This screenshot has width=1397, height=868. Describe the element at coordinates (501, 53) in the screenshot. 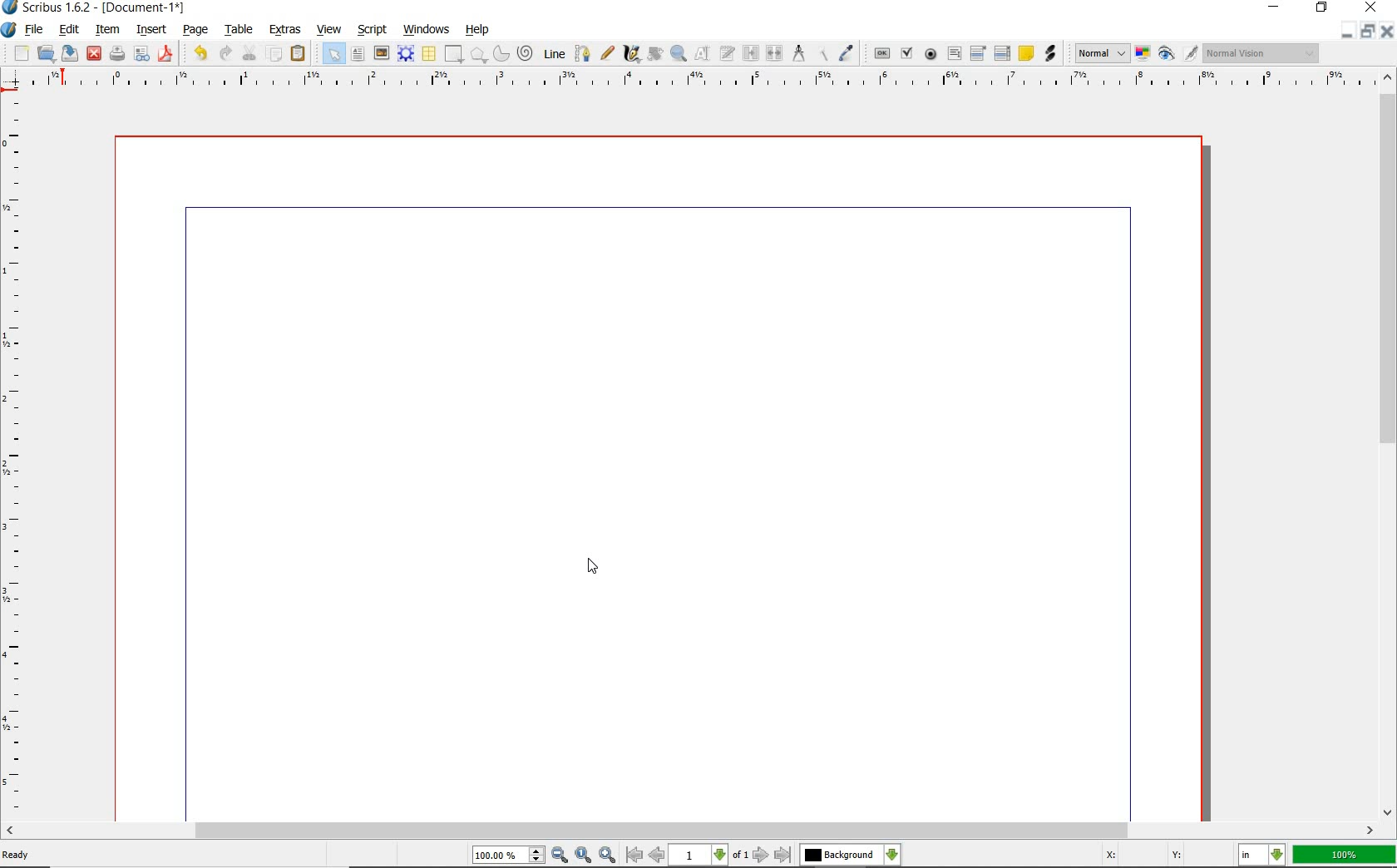

I see `arc` at that location.